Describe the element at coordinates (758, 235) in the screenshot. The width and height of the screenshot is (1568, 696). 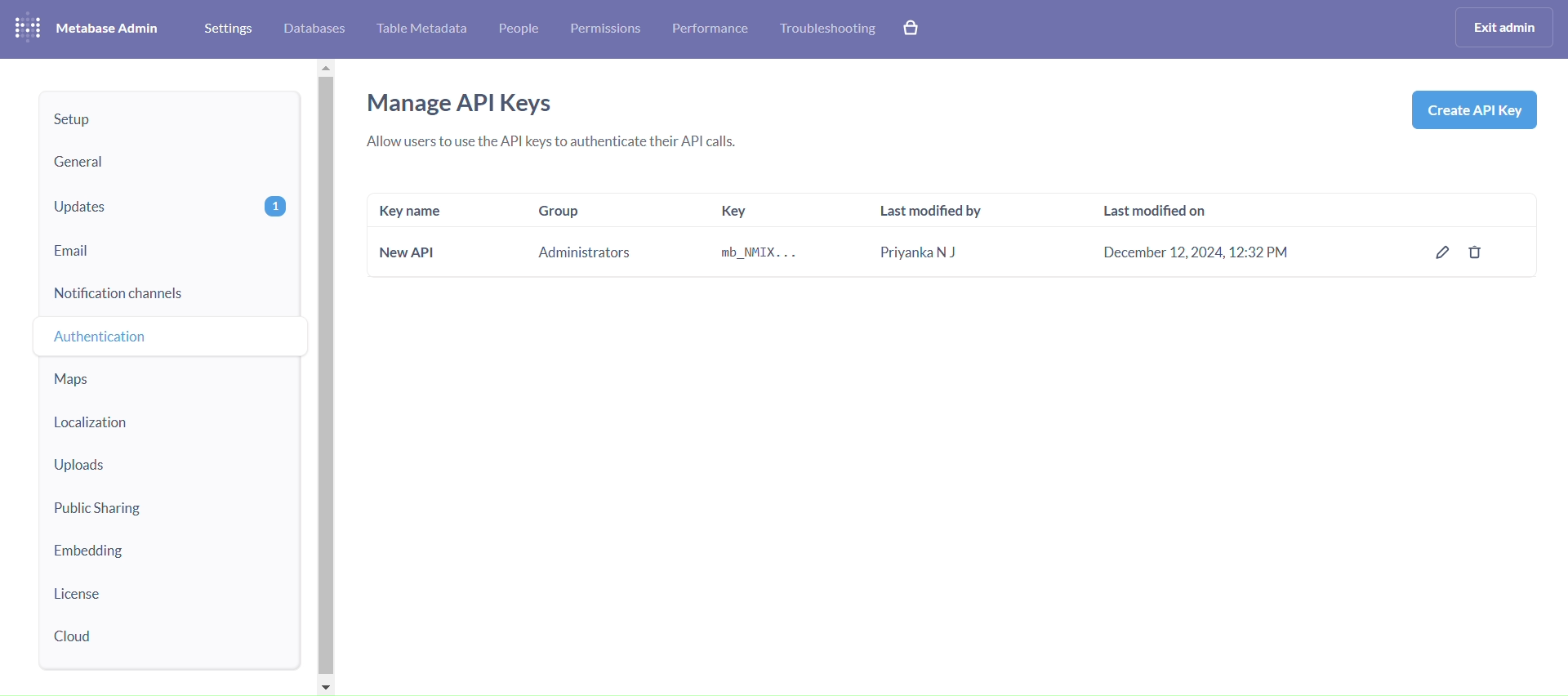
I see `key` at that location.